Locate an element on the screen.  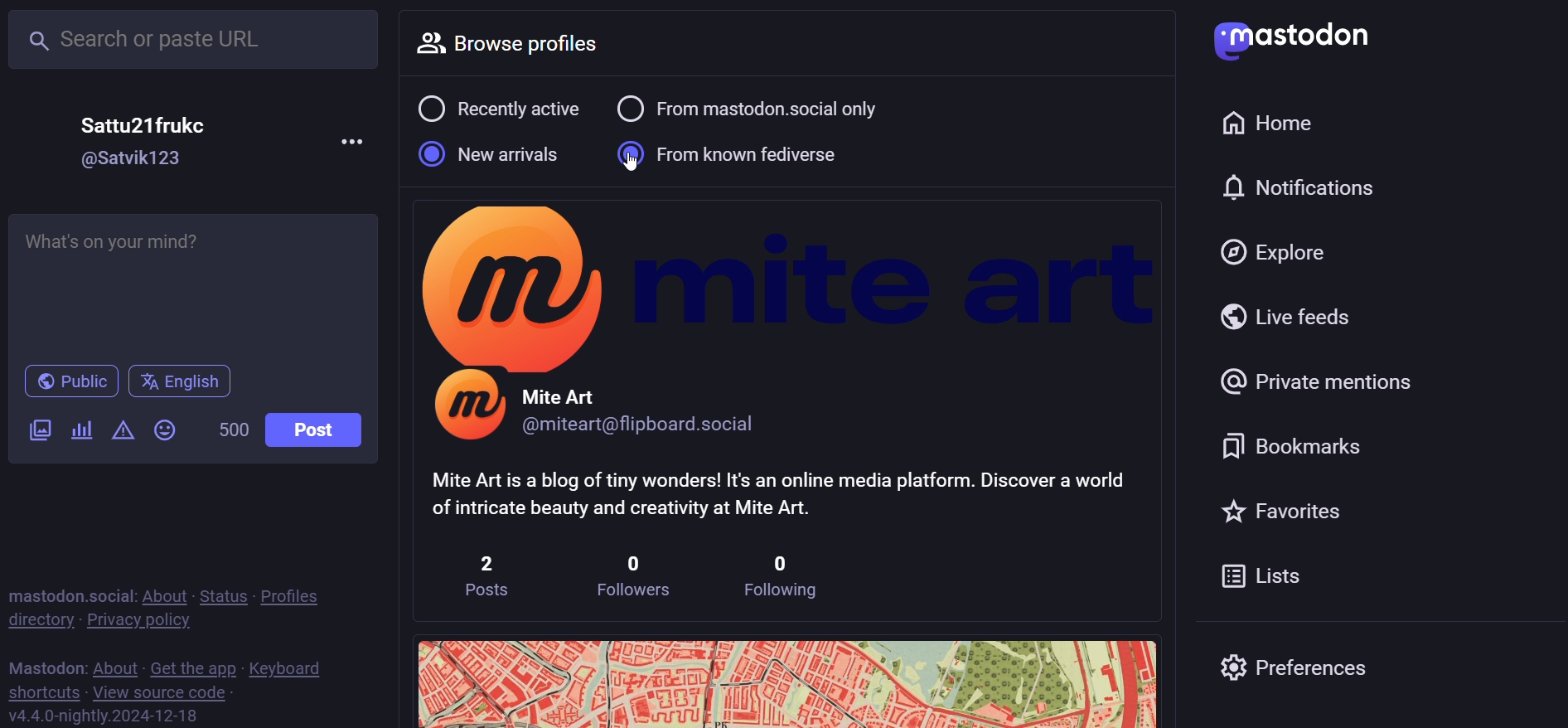
0 followers is located at coordinates (631, 576).